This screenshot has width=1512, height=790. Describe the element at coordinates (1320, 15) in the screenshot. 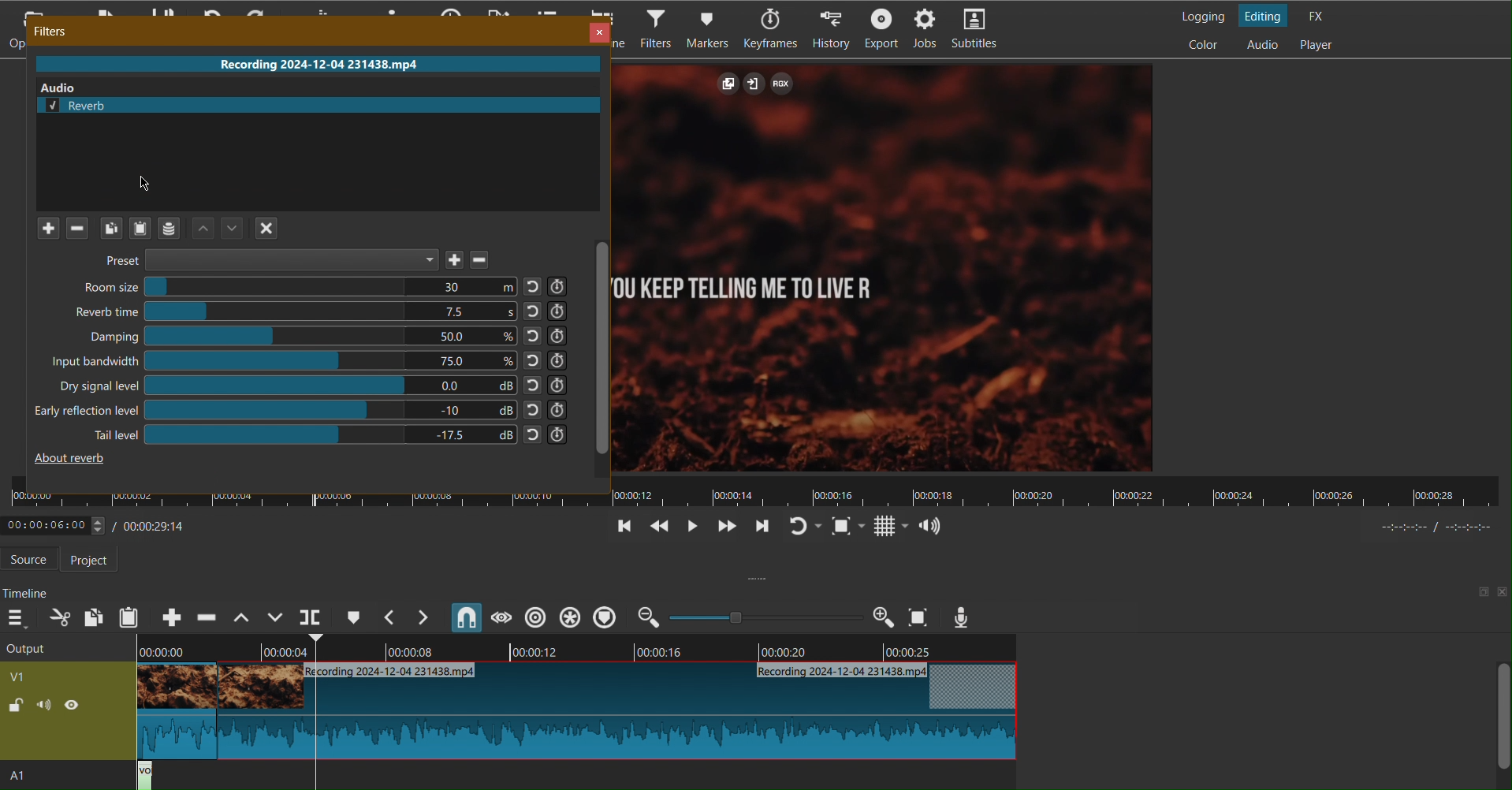

I see `FX` at that location.